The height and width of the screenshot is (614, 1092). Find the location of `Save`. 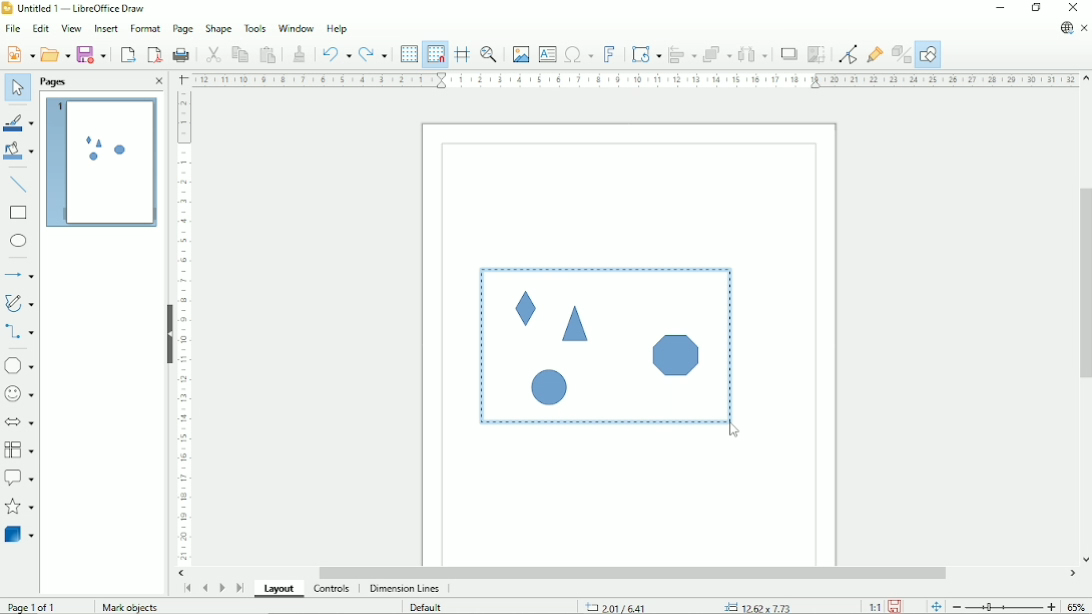

Save is located at coordinates (895, 606).